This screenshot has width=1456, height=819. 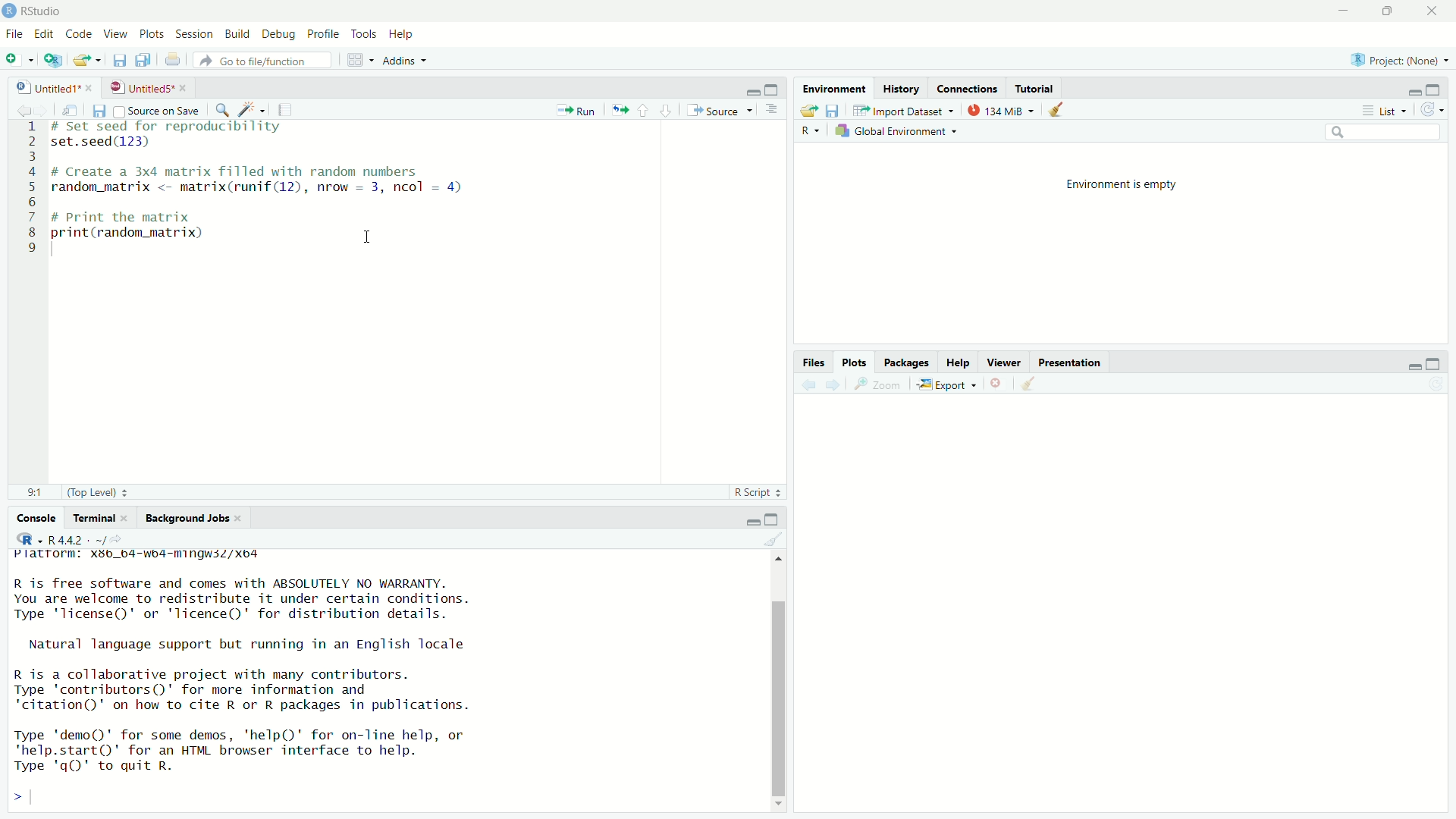 What do you see at coordinates (173, 59) in the screenshot?
I see `print` at bounding box center [173, 59].